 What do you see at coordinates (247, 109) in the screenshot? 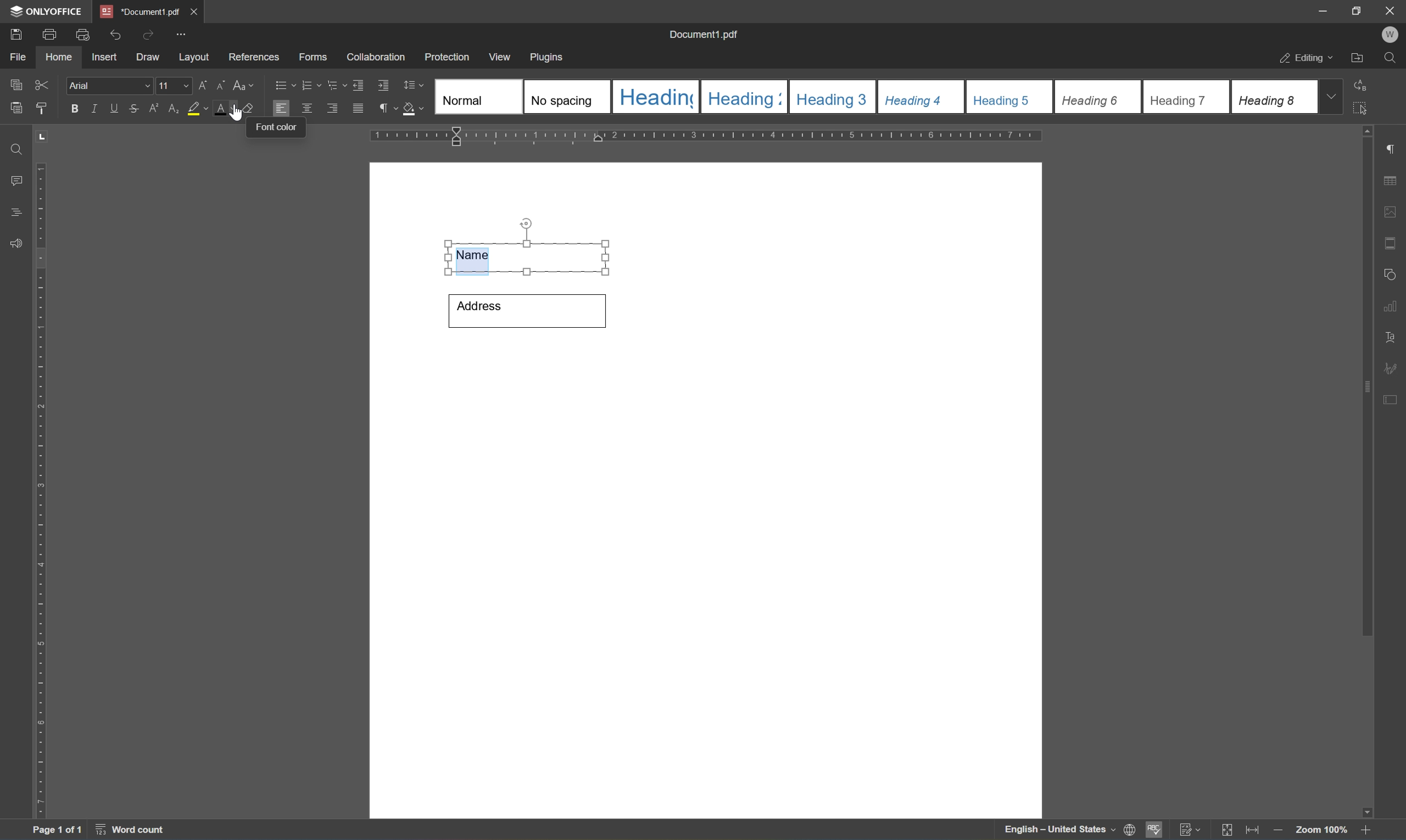
I see `clear style` at bounding box center [247, 109].